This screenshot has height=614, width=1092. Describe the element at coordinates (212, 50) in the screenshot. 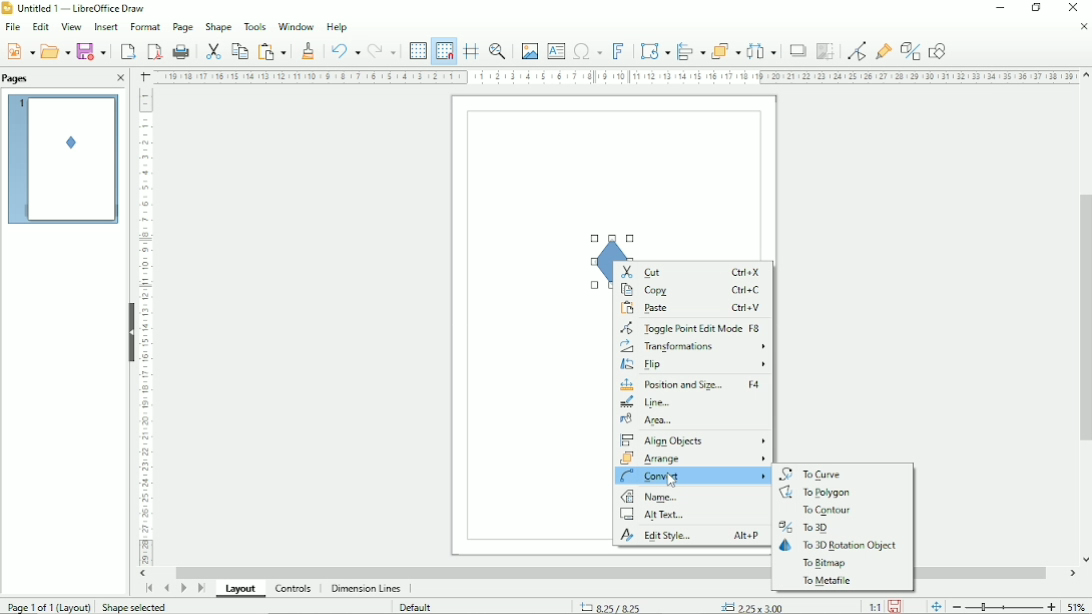

I see `Cut` at that location.